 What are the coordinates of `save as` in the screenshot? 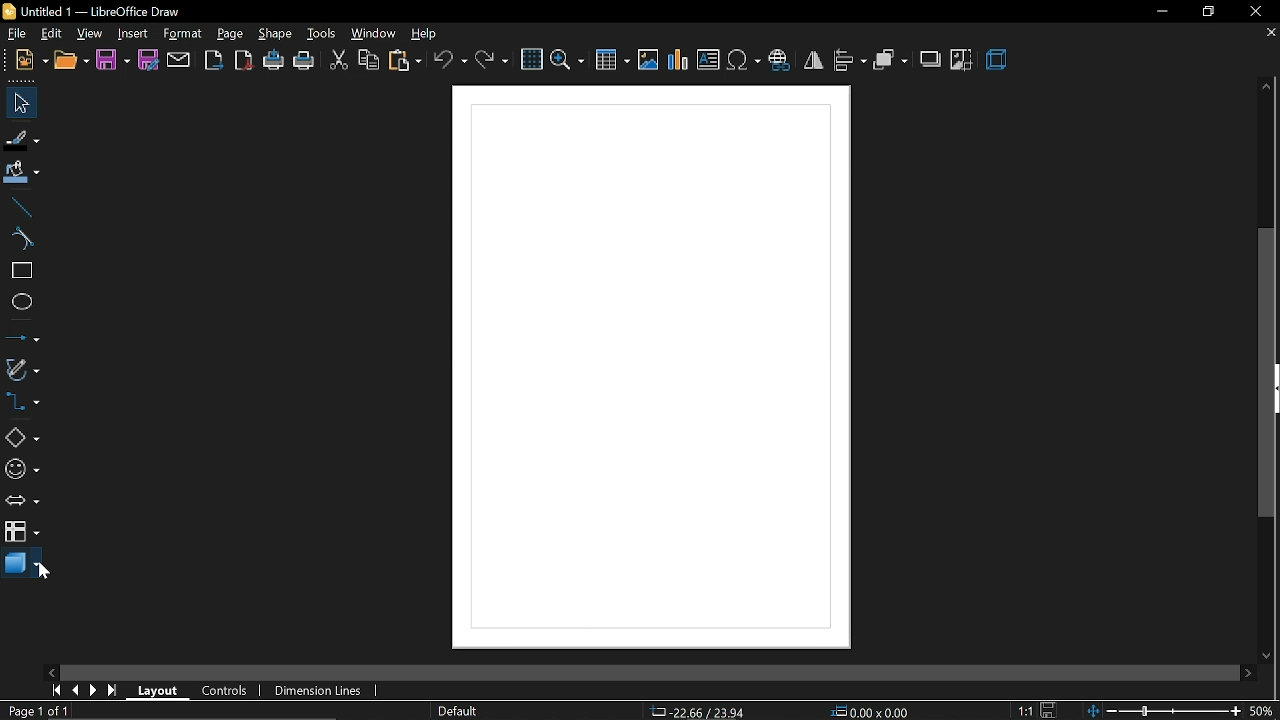 It's located at (149, 62).